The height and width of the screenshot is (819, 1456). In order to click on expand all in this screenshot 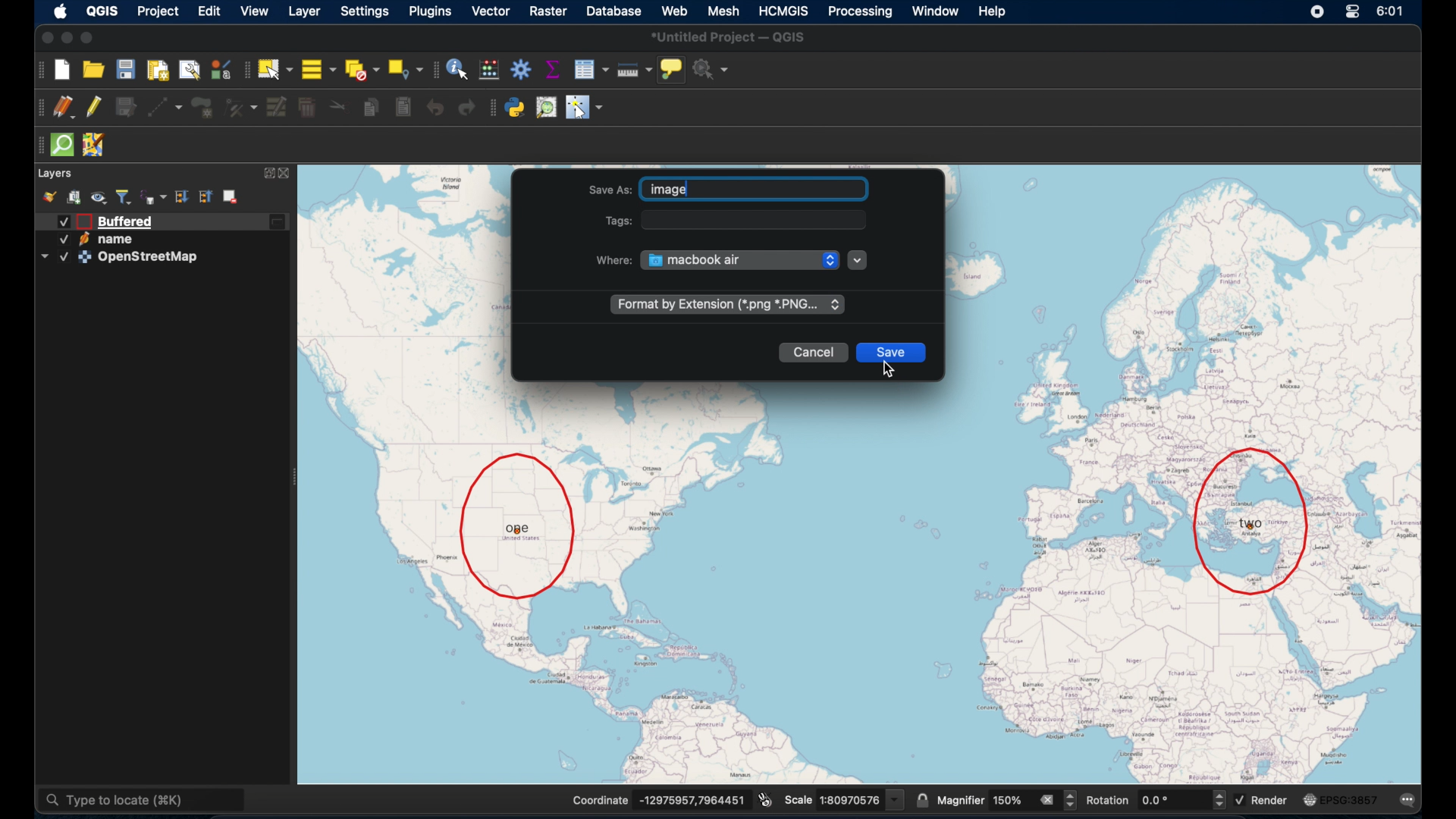, I will do `click(181, 196)`.